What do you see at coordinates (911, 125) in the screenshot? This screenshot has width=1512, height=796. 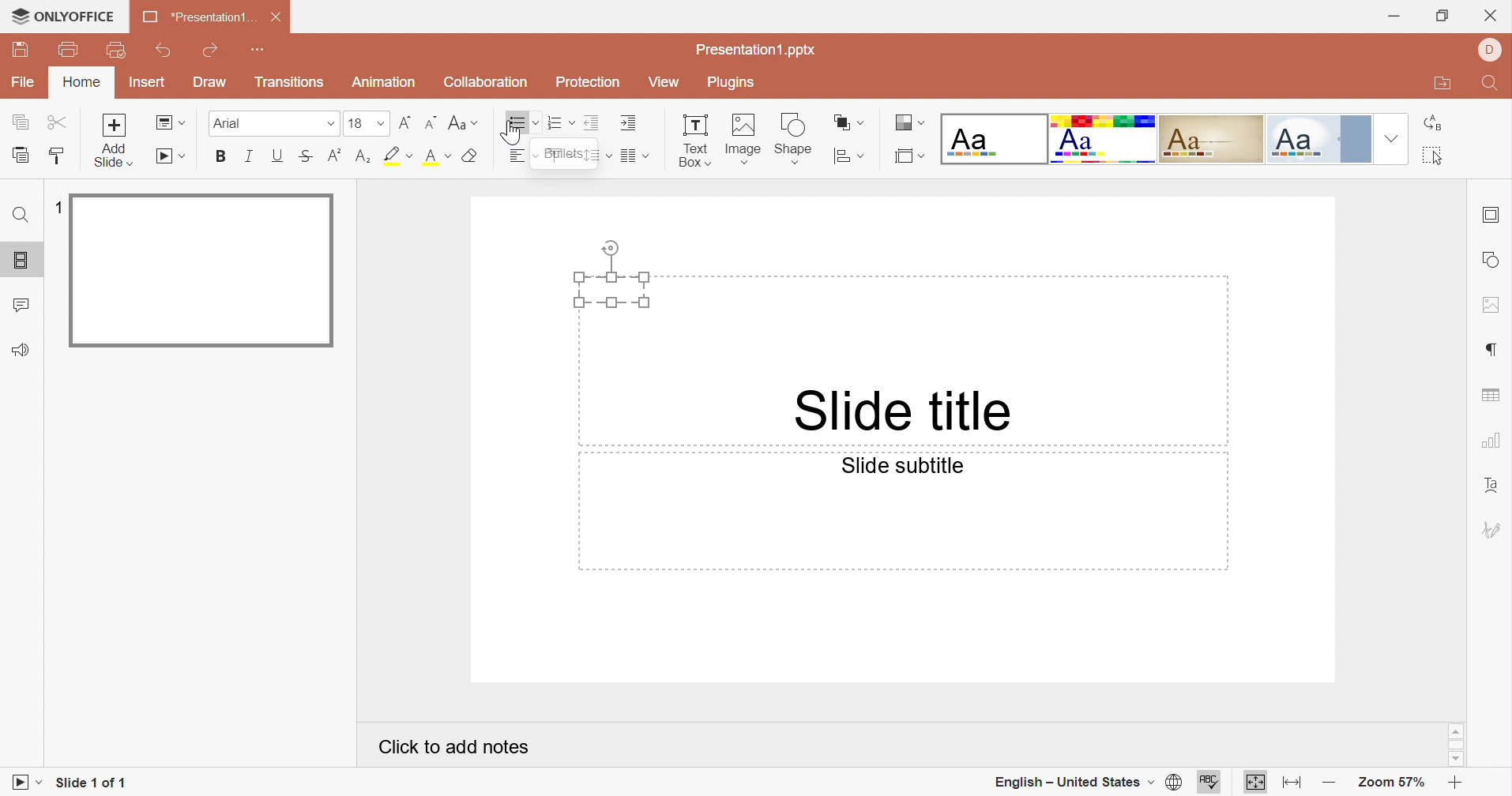 I see `Change color theme` at bounding box center [911, 125].